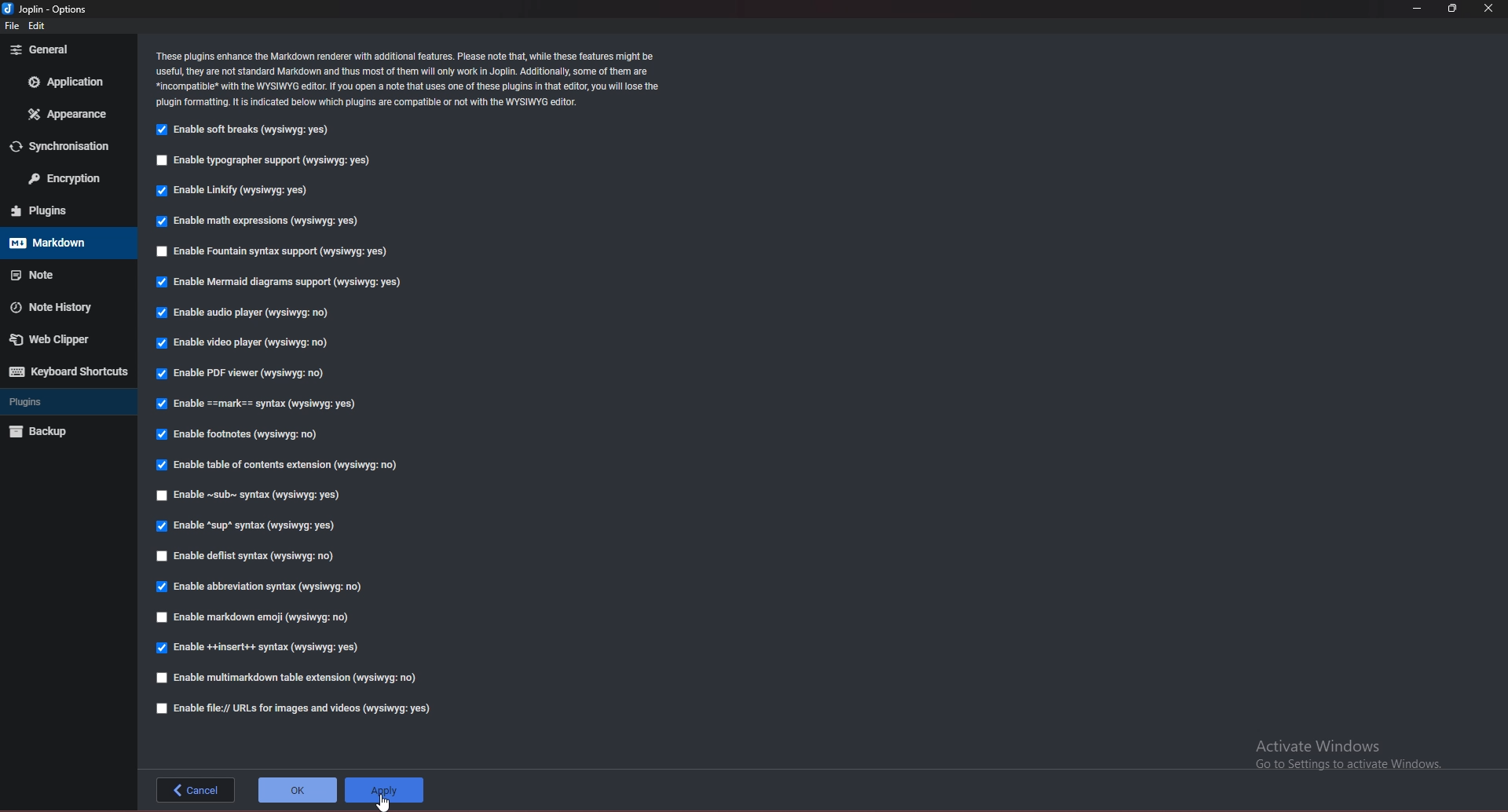  What do you see at coordinates (263, 585) in the screenshot?
I see `enable abbreviation syntax` at bounding box center [263, 585].